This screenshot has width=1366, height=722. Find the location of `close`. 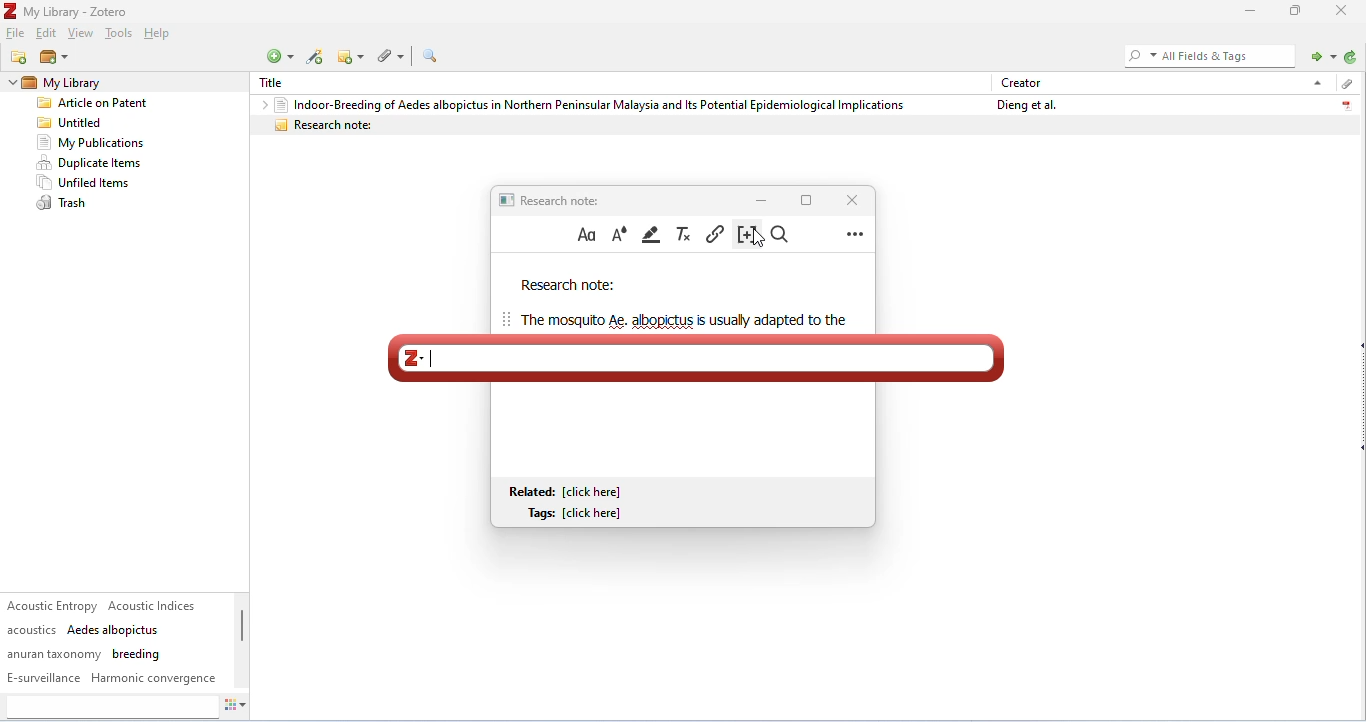

close is located at coordinates (849, 199).